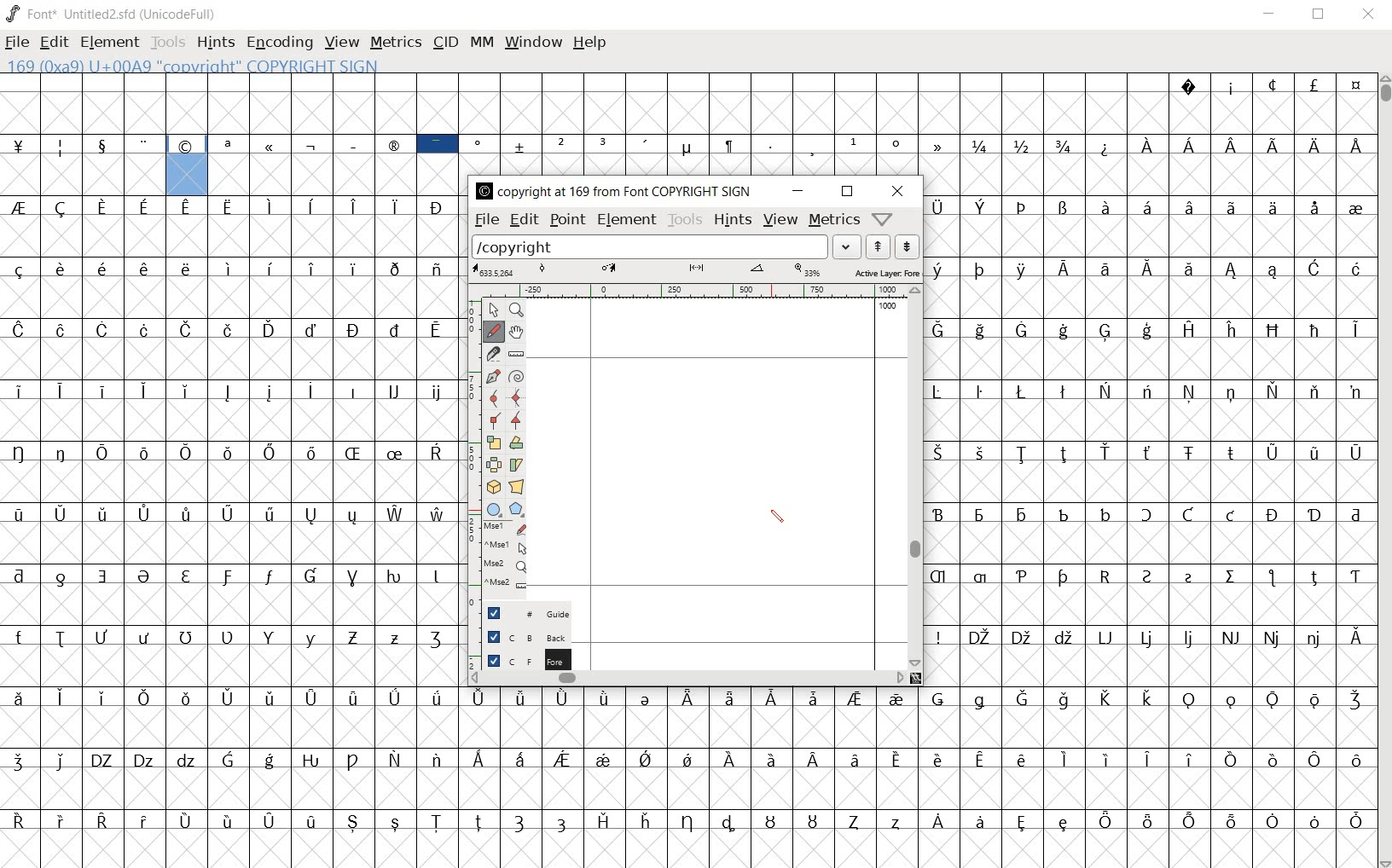  What do you see at coordinates (517, 444) in the screenshot?
I see `Rotate the selection` at bounding box center [517, 444].